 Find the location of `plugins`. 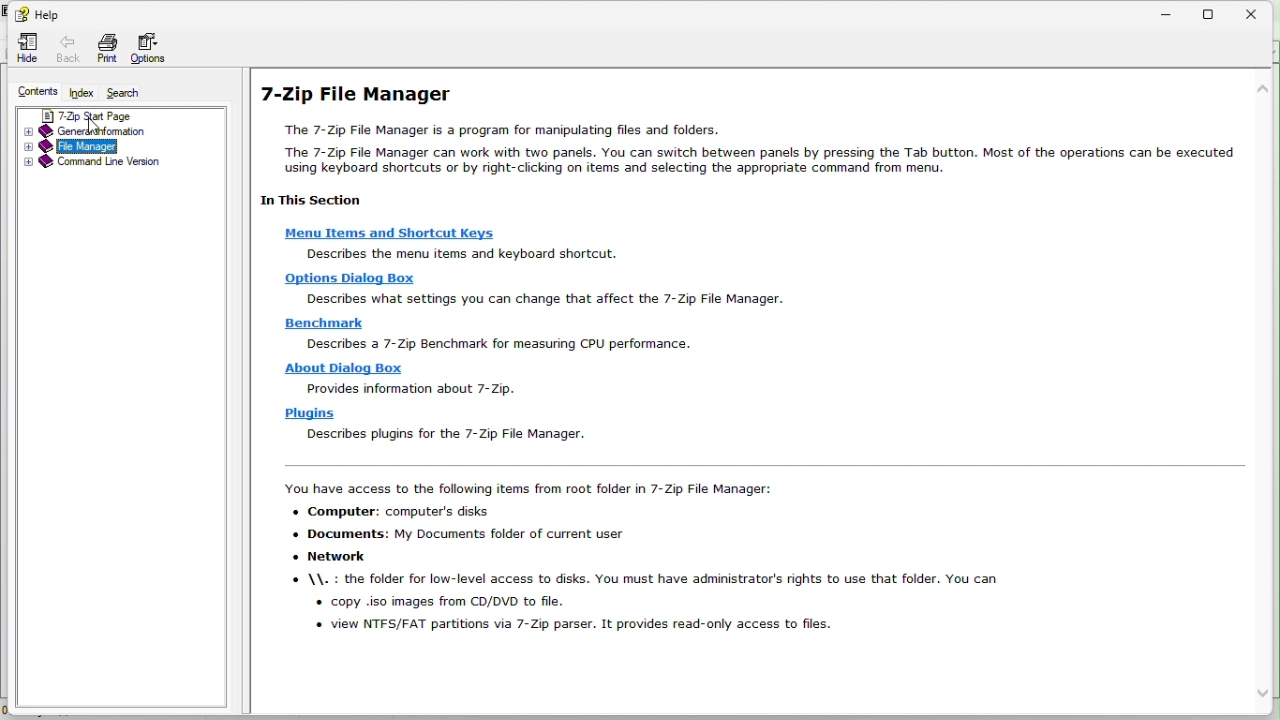

plugins is located at coordinates (309, 415).